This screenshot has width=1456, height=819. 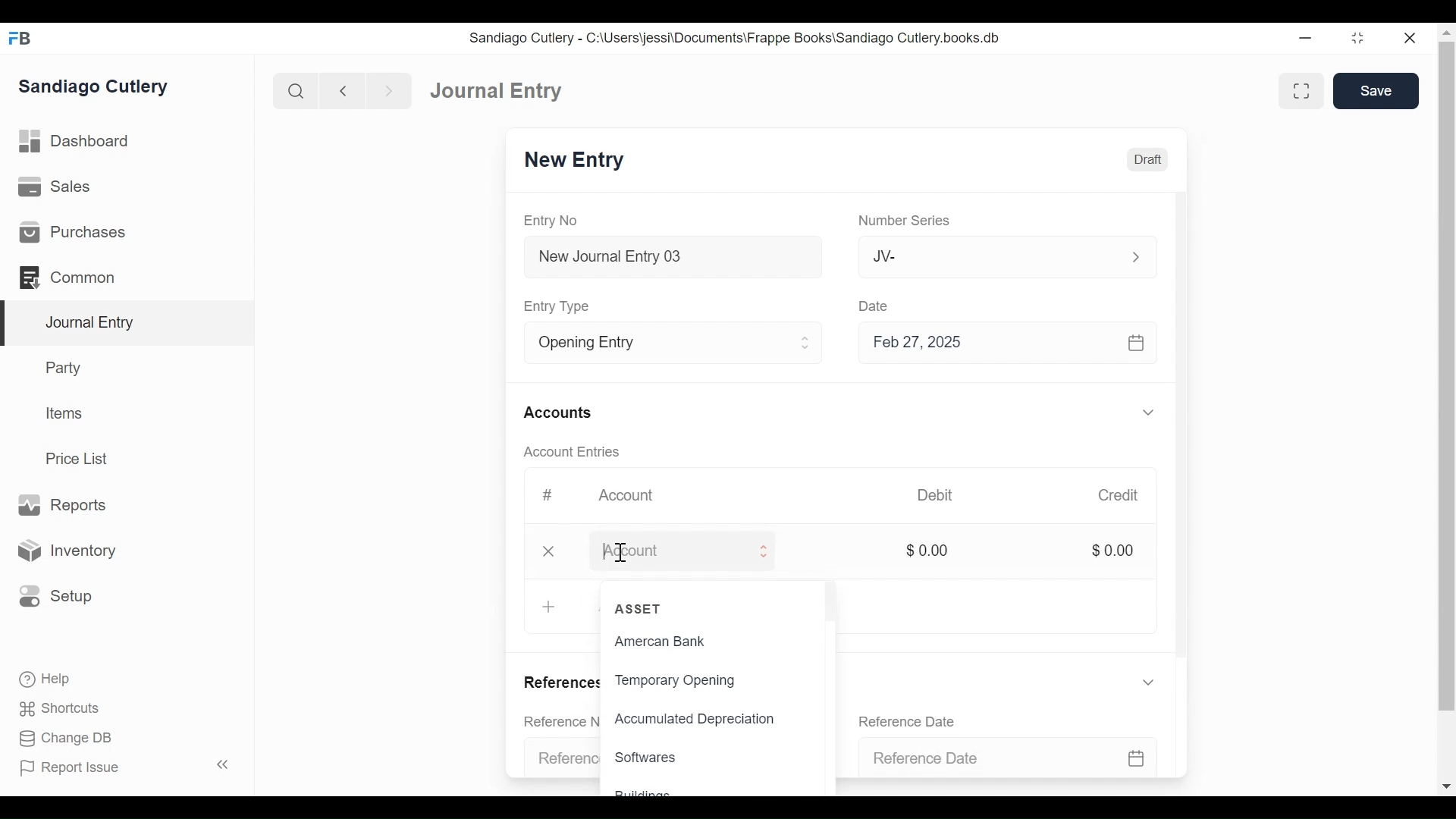 What do you see at coordinates (551, 551) in the screenshot?
I see `Close` at bounding box center [551, 551].